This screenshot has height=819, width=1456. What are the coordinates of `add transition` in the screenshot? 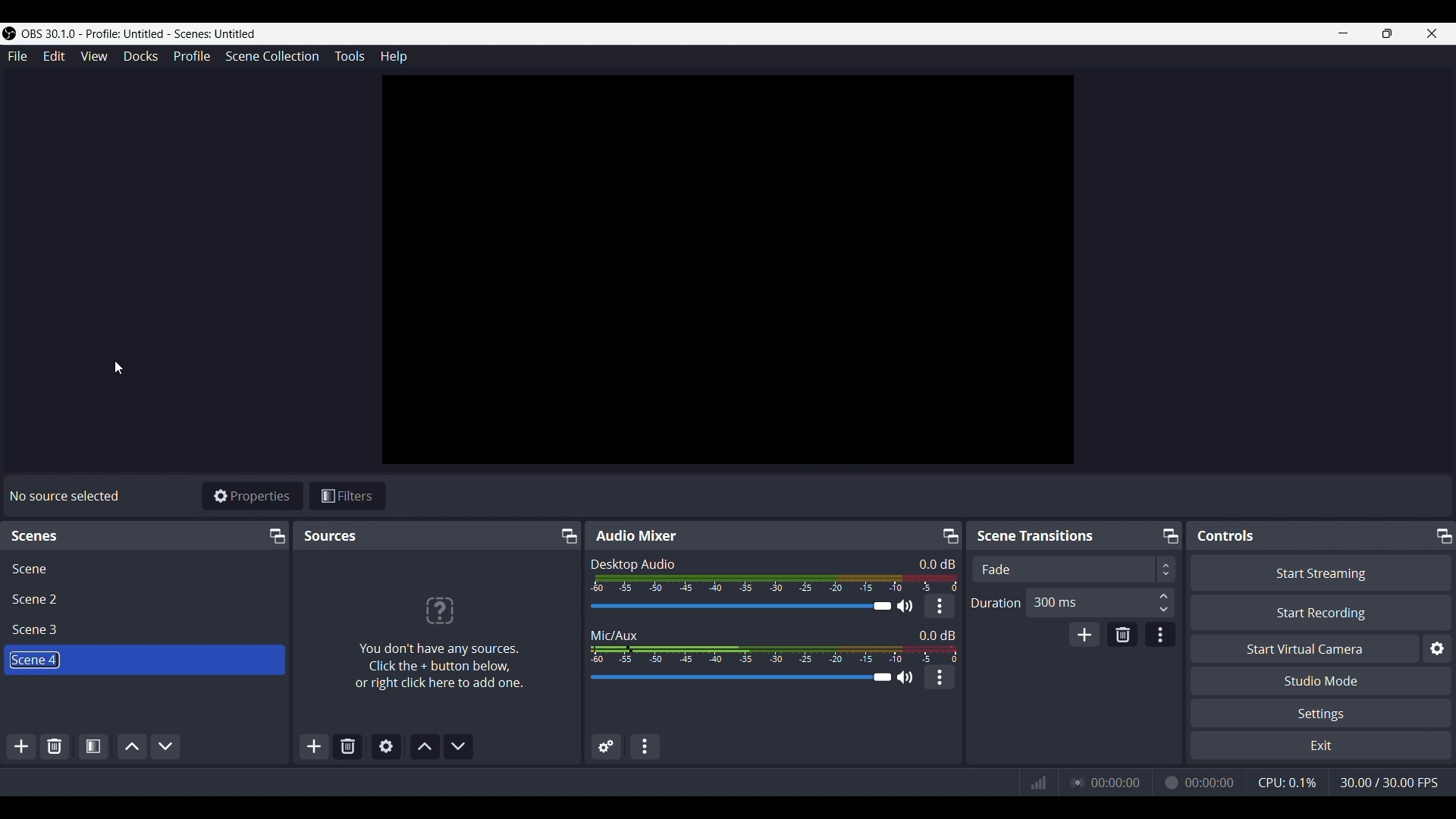 It's located at (1084, 634).